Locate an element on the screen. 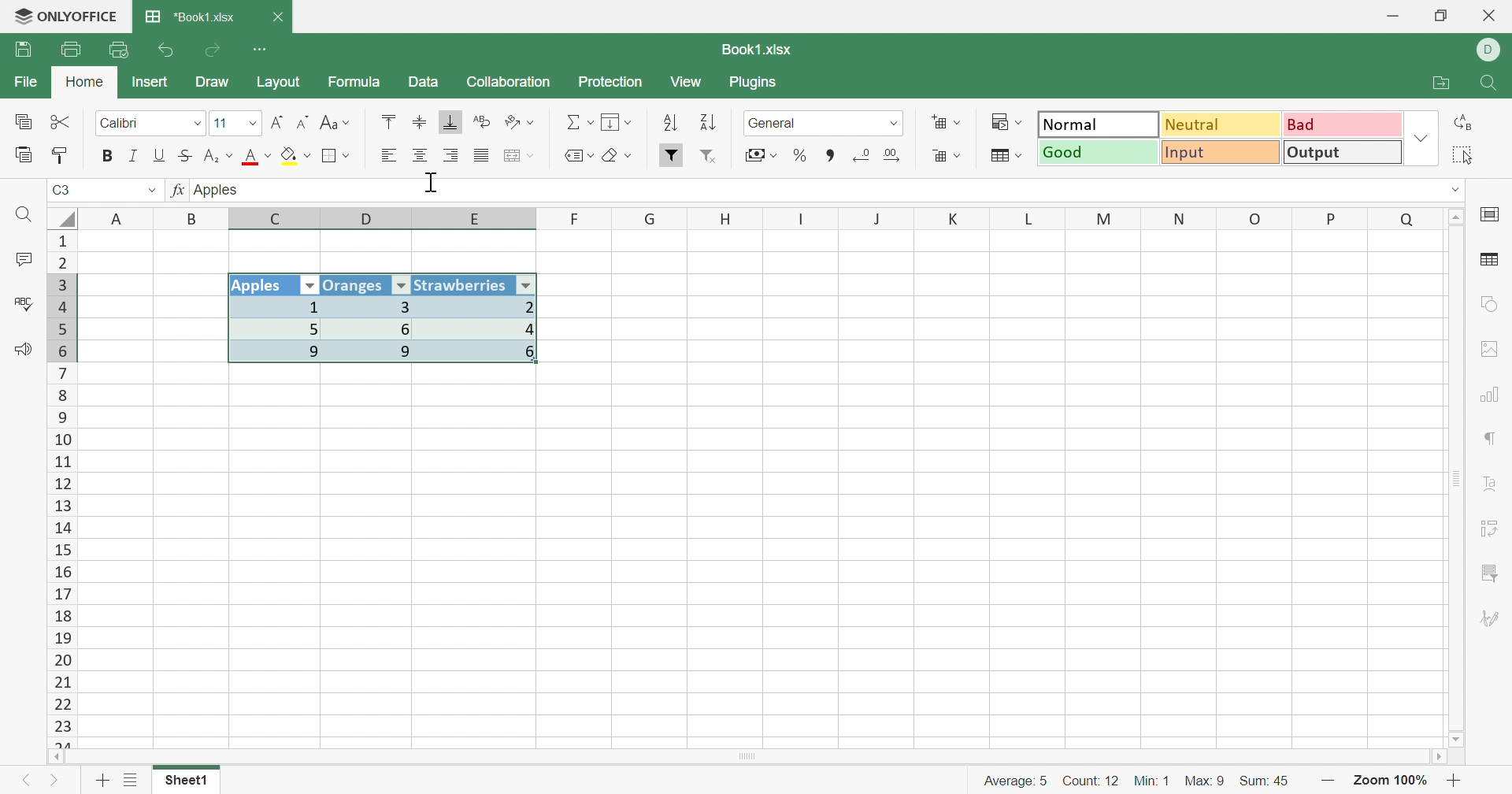 This screenshot has height=794, width=1512. Apples is located at coordinates (220, 189).